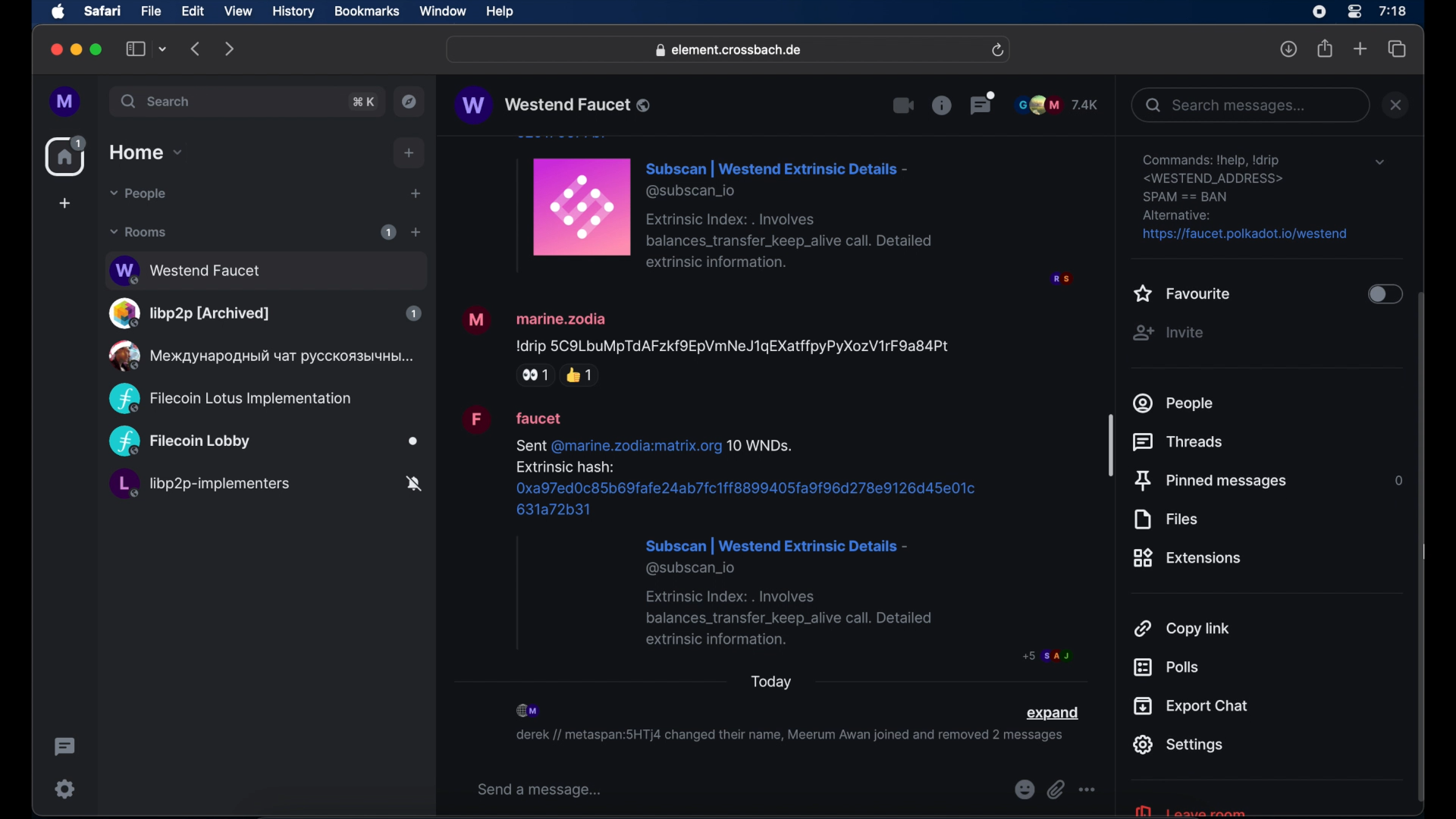 Image resolution: width=1456 pixels, height=819 pixels. Describe the element at coordinates (193, 11) in the screenshot. I see `edit` at that location.